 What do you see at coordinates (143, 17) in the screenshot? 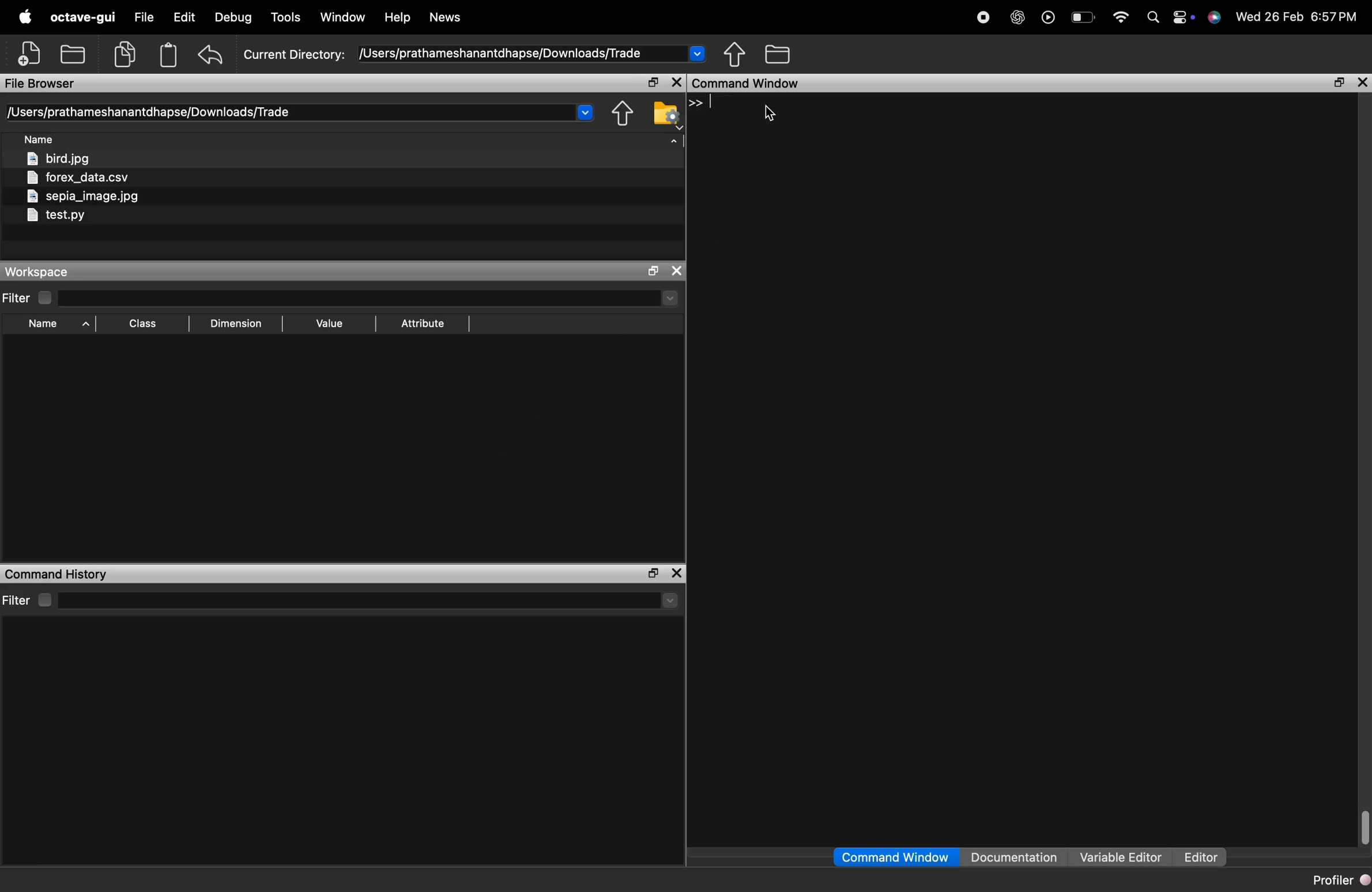
I see `file` at bounding box center [143, 17].